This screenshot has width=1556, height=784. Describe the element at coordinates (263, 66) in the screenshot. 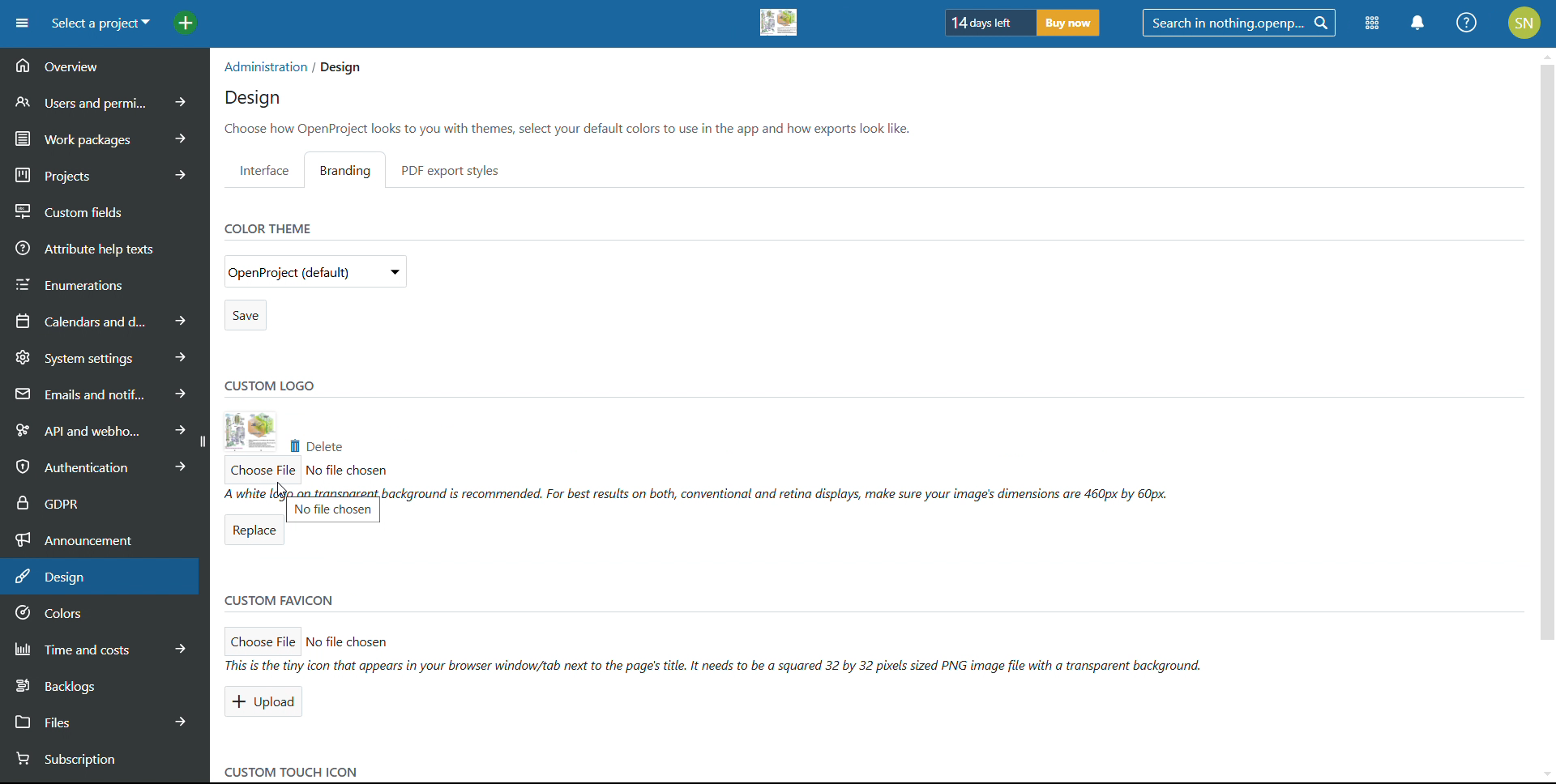

I see `administration` at that location.